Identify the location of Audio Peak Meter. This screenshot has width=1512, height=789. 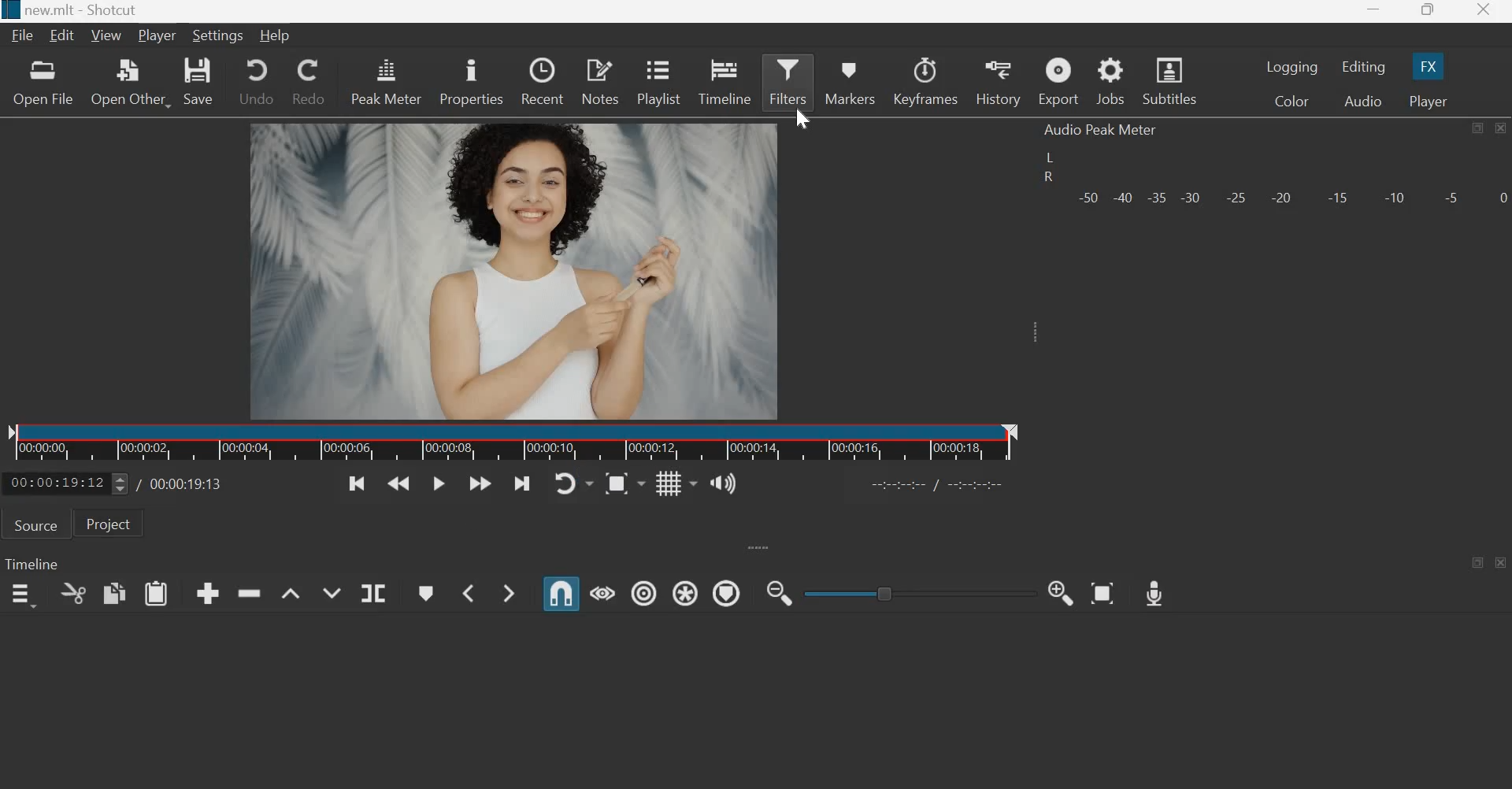
(1101, 130).